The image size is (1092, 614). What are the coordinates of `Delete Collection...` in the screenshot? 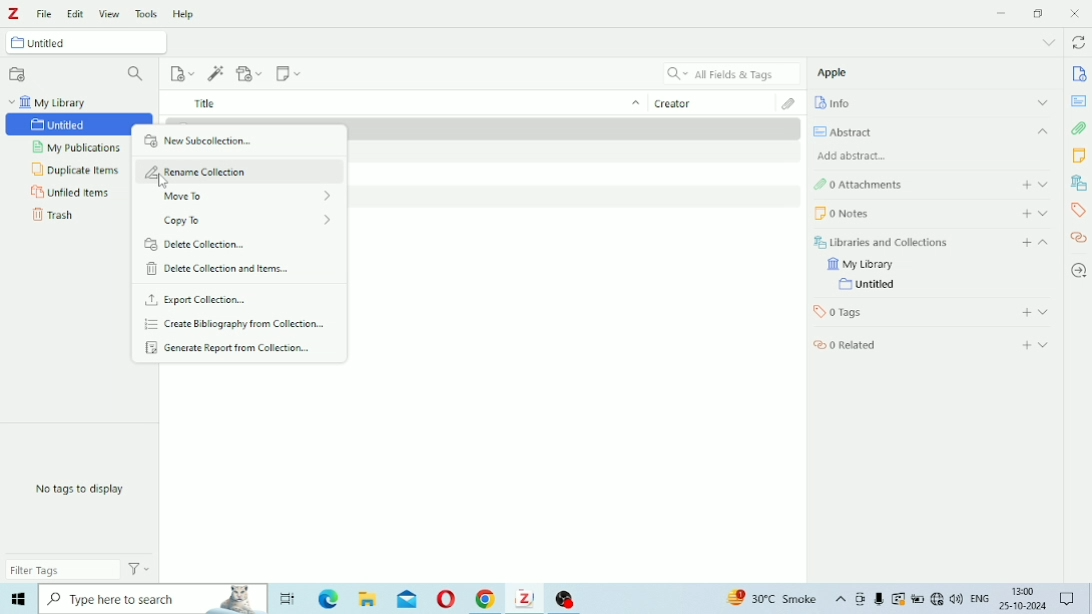 It's located at (201, 243).